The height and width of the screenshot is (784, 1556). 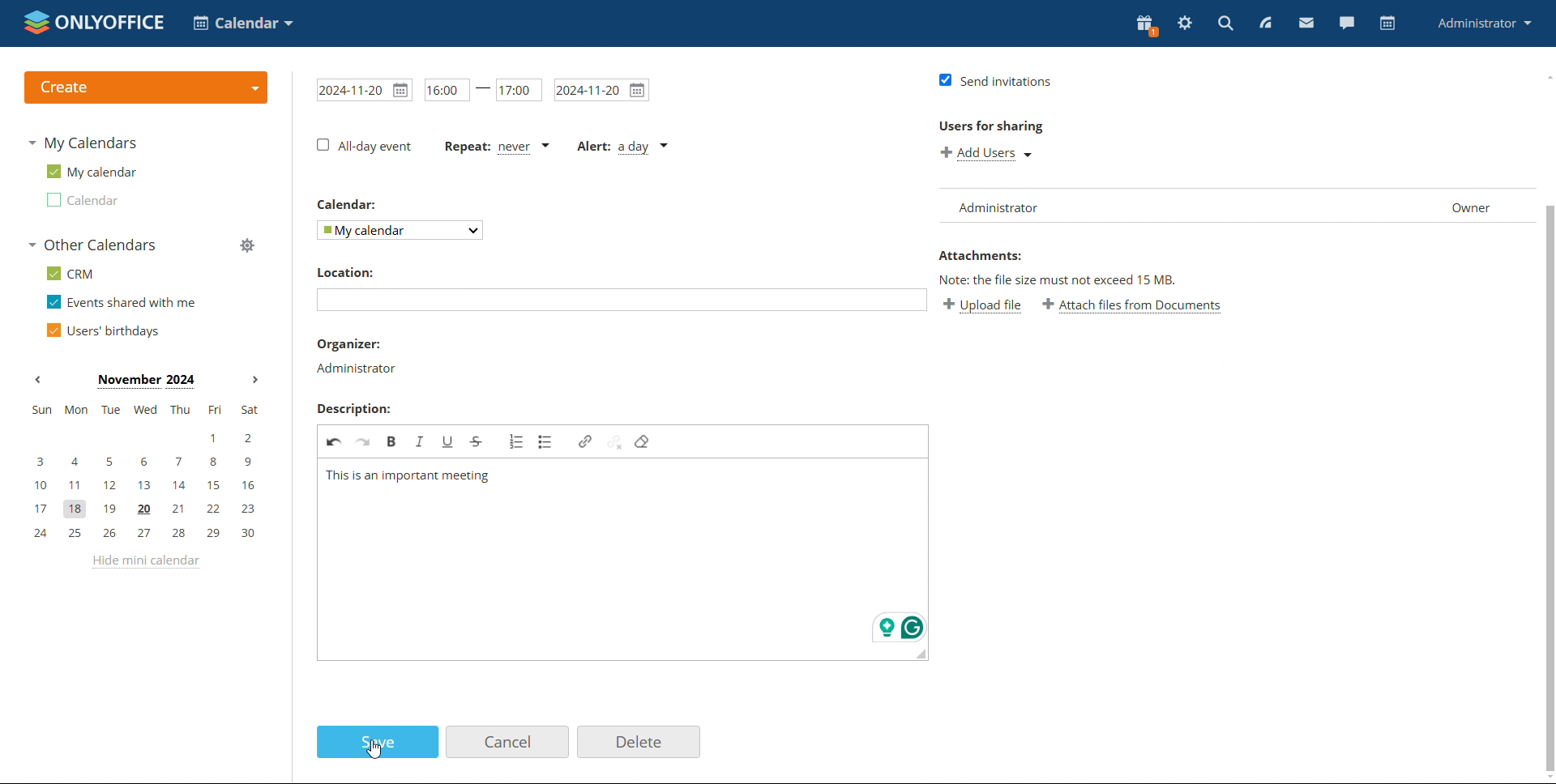 What do you see at coordinates (1269, 22) in the screenshot?
I see `feed` at bounding box center [1269, 22].